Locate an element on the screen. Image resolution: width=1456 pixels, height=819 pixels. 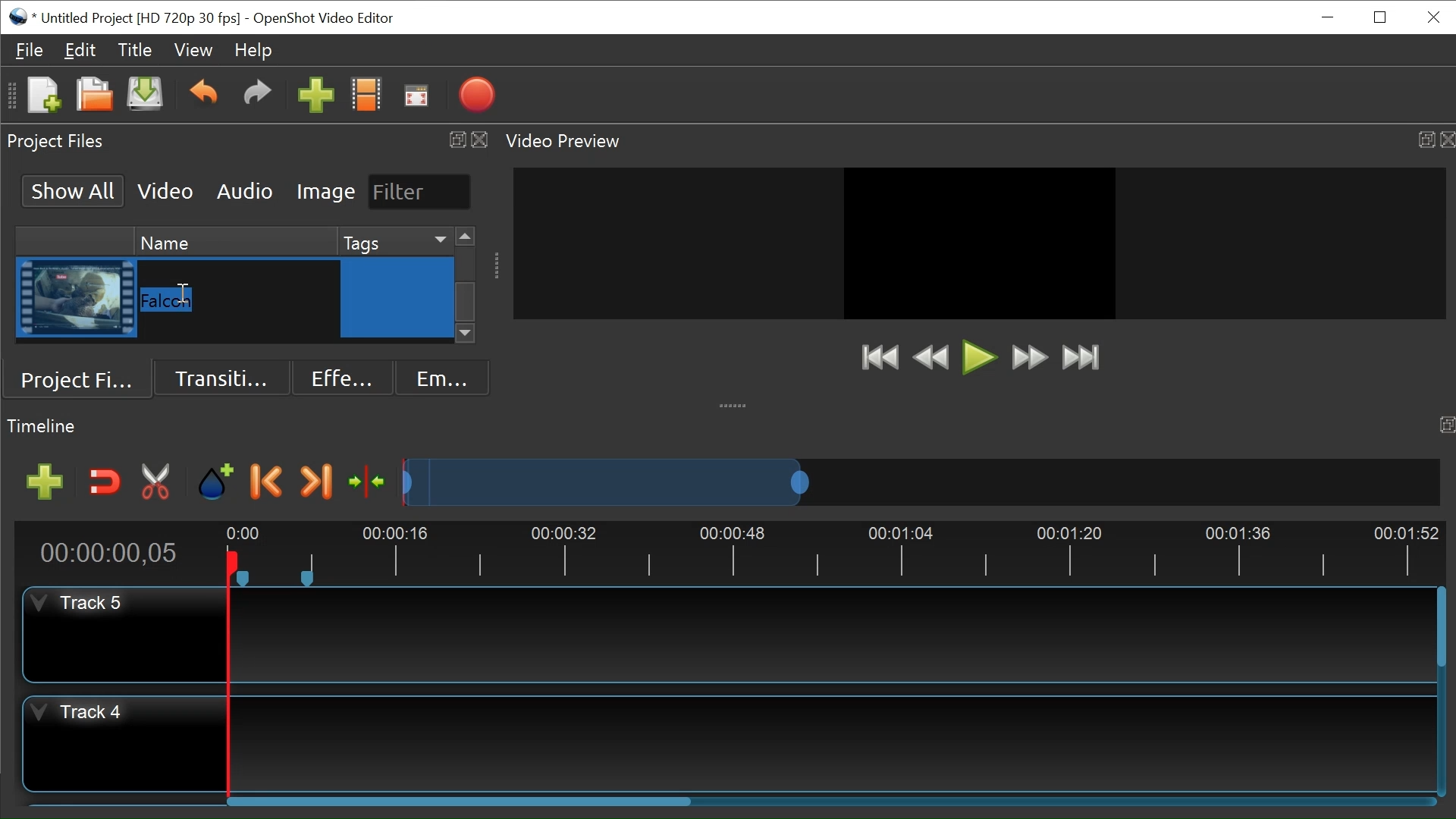
Tags is located at coordinates (393, 240).